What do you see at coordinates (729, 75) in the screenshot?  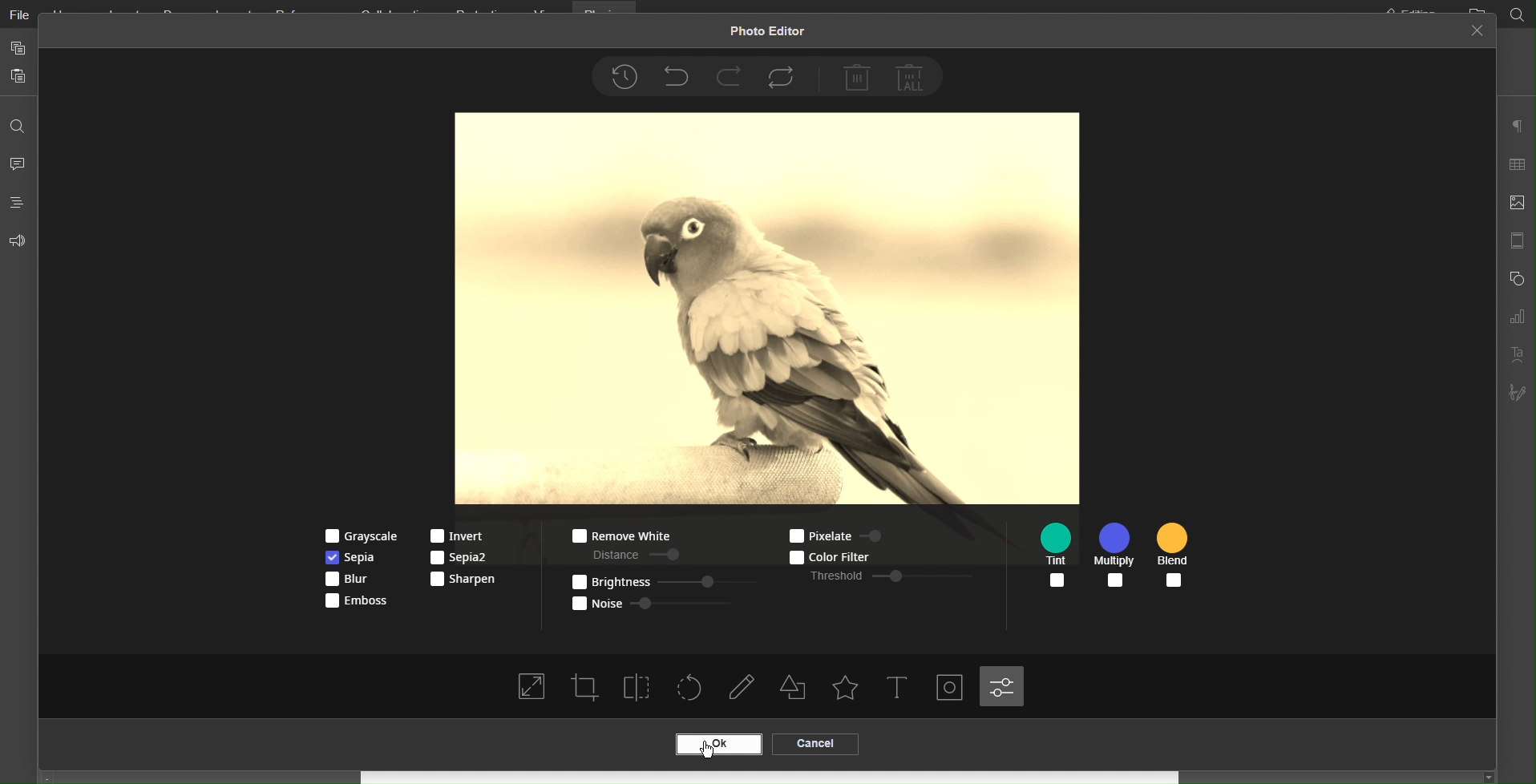 I see `Redo` at bounding box center [729, 75].